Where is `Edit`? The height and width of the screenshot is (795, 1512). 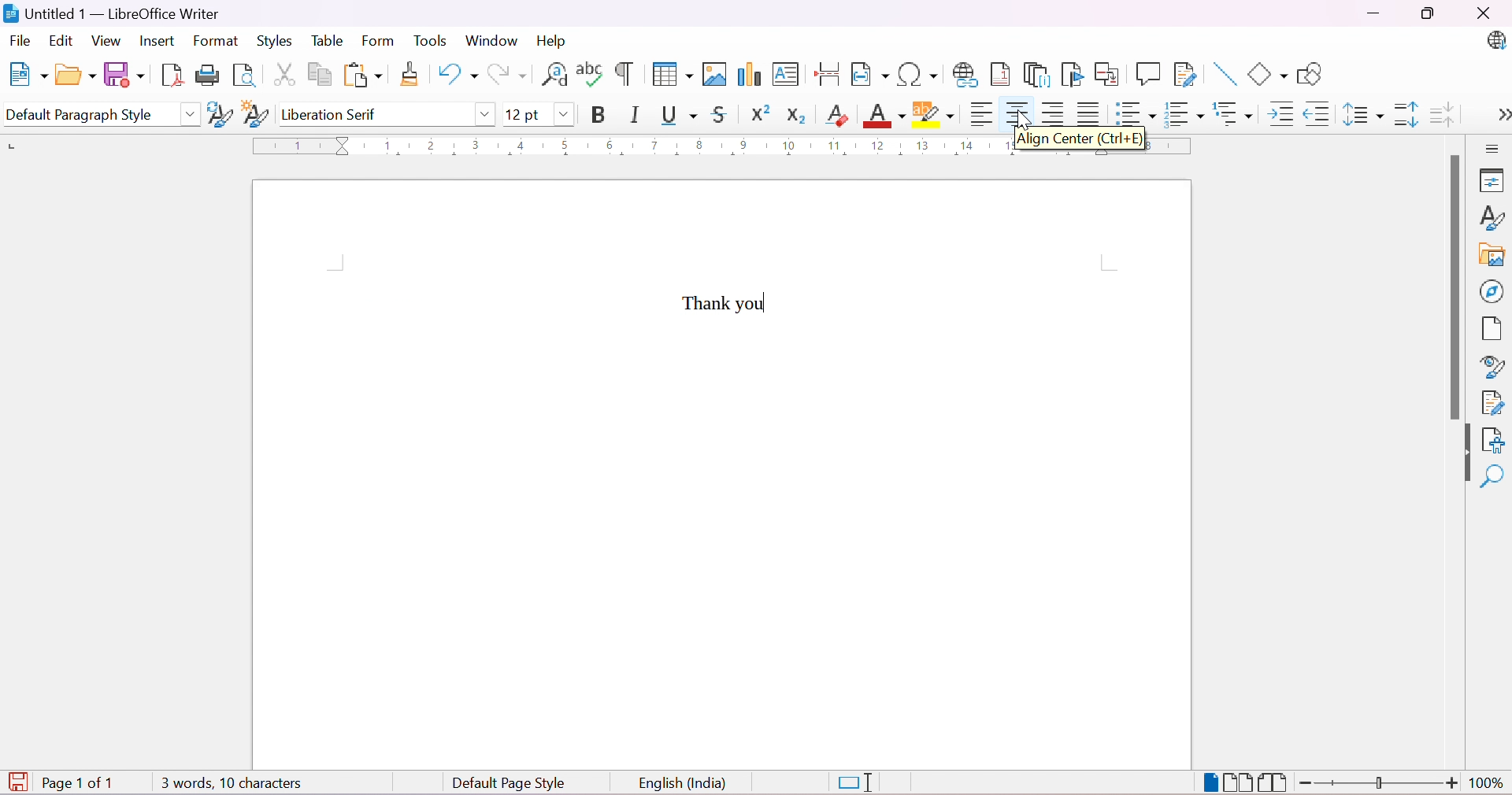 Edit is located at coordinates (61, 42).